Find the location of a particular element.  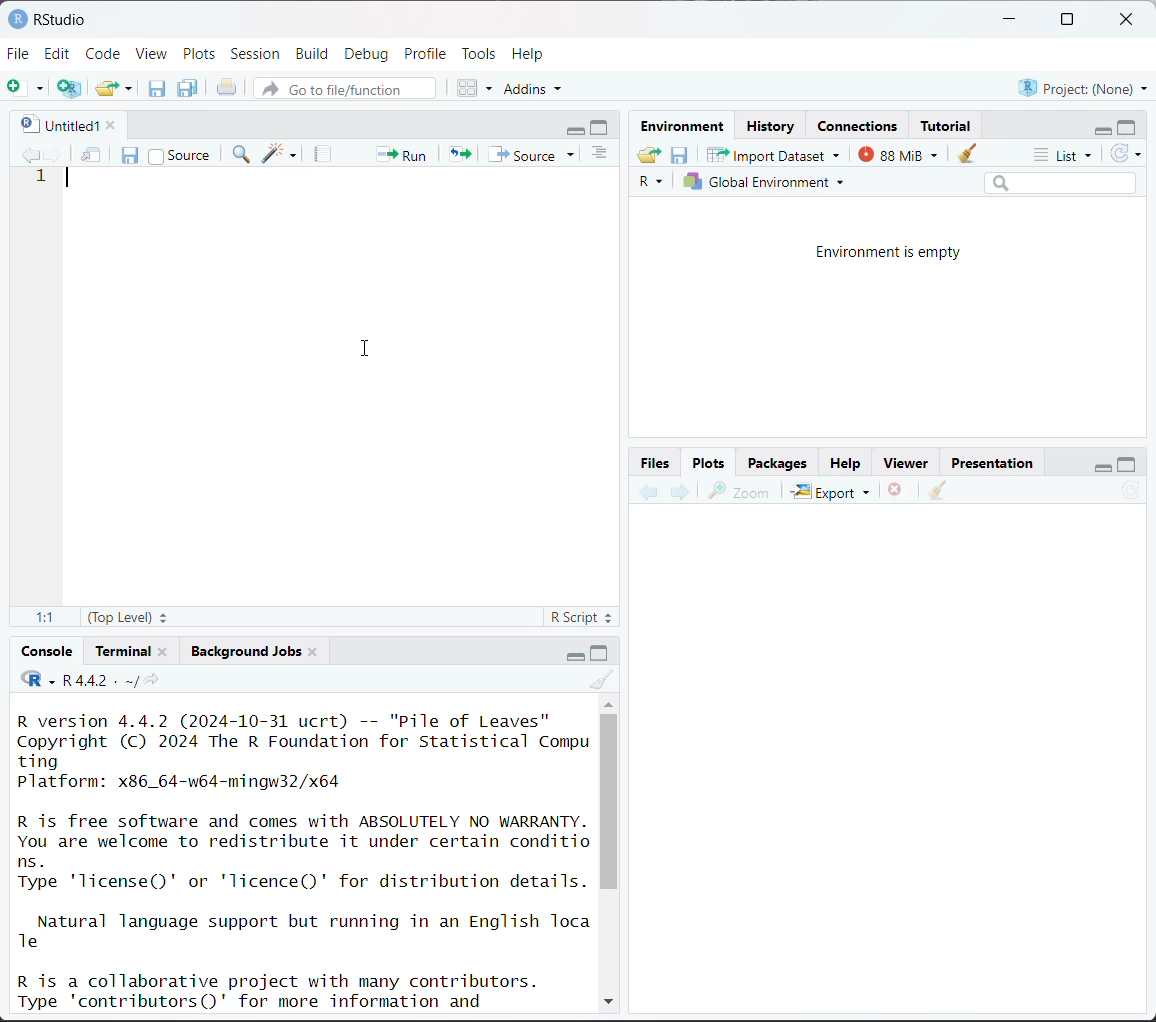

untitled1 is located at coordinates (58, 124).